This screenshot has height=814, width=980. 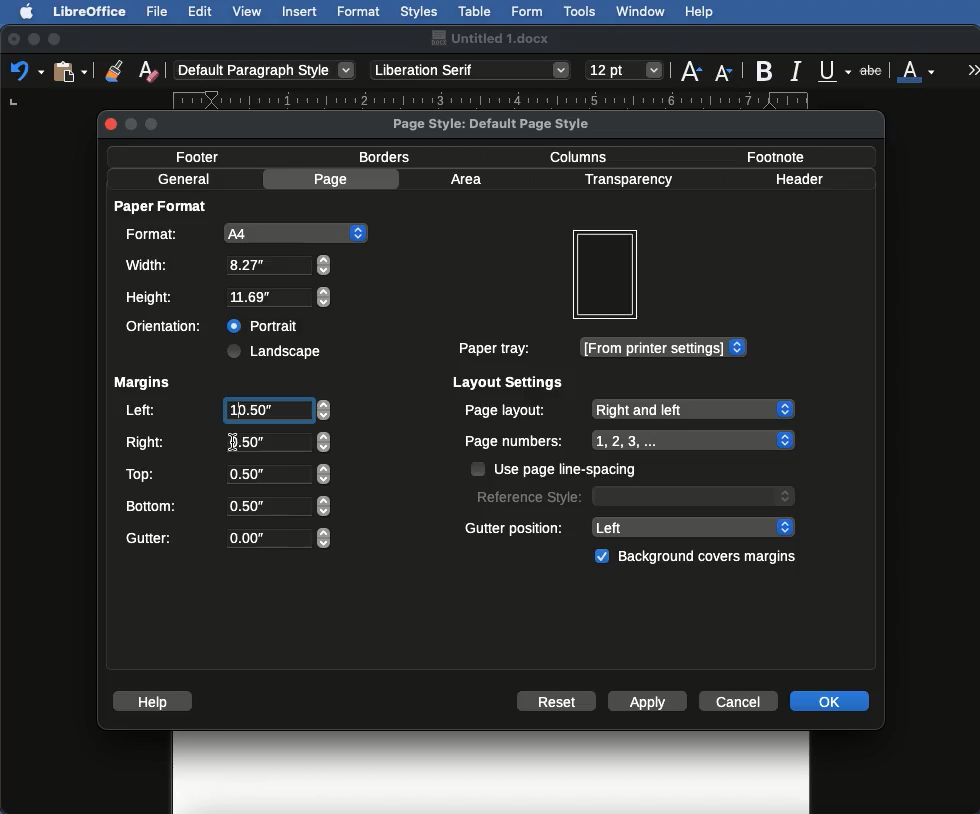 What do you see at coordinates (265, 323) in the screenshot?
I see `Portrait` at bounding box center [265, 323].